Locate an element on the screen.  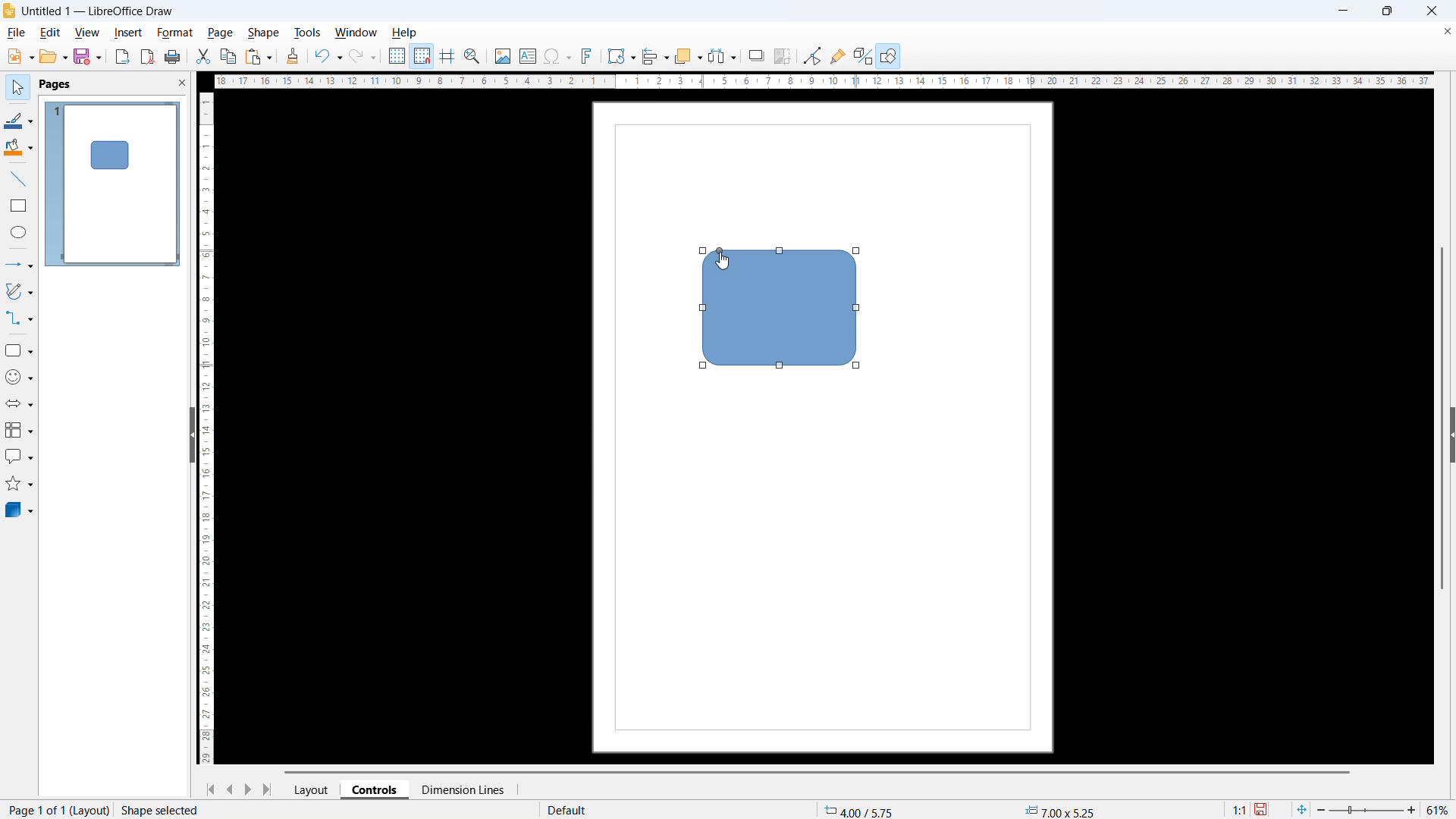
Go to first page  is located at coordinates (210, 790).